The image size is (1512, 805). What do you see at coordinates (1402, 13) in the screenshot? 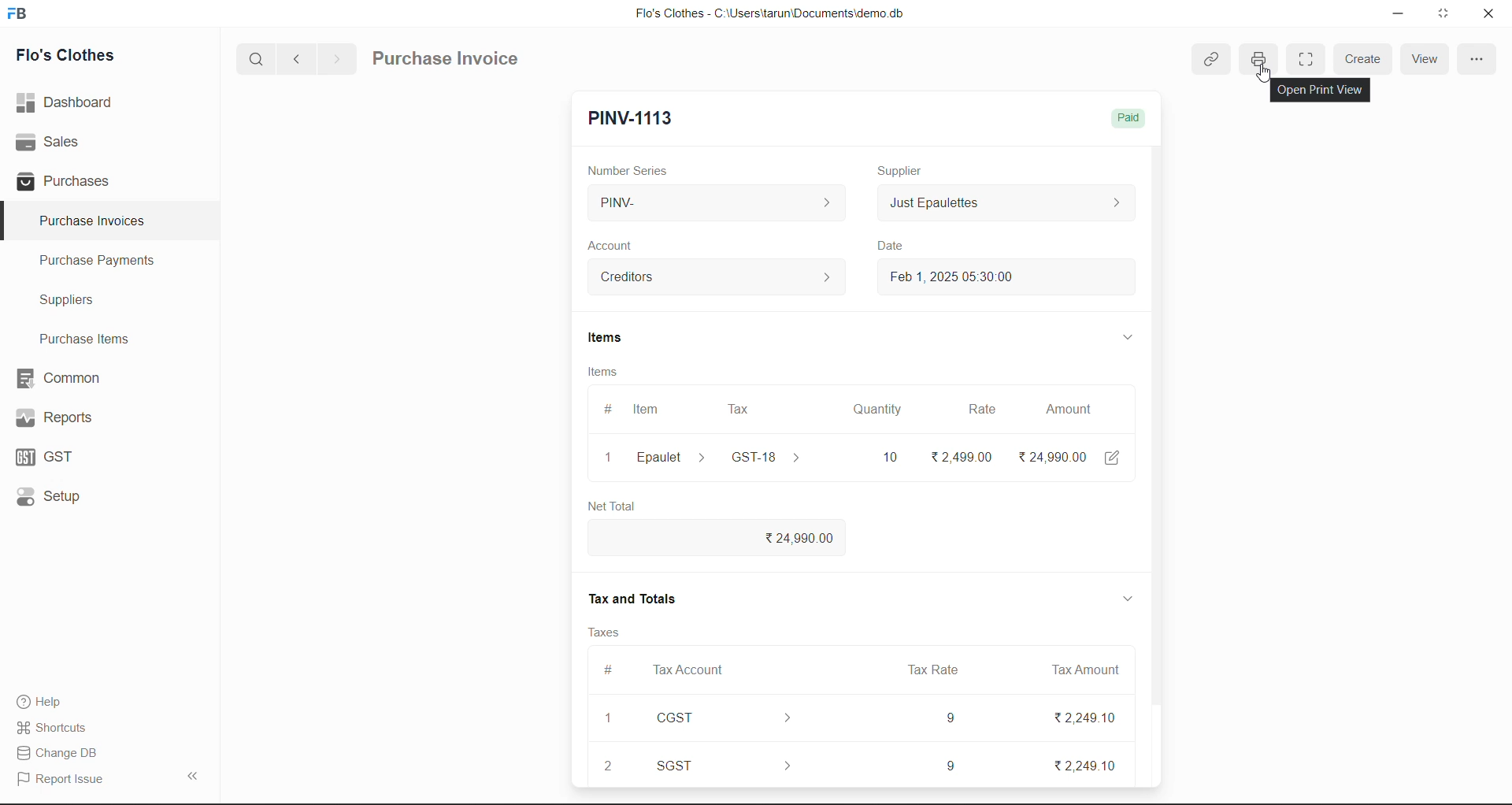
I see `minimize` at bounding box center [1402, 13].